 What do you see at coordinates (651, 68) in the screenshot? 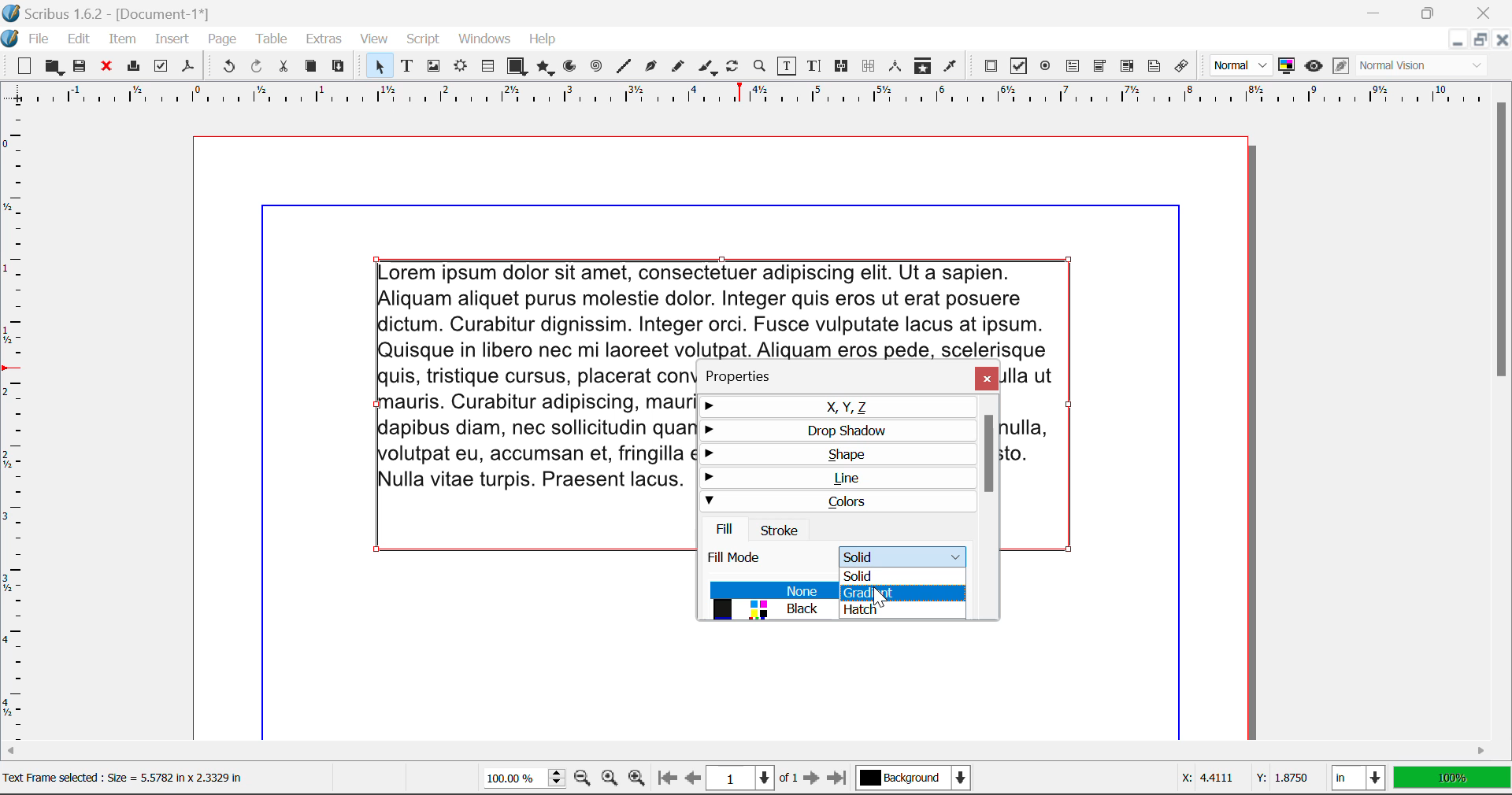
I see `Bezier Curve` at bounding box center [651, 68].